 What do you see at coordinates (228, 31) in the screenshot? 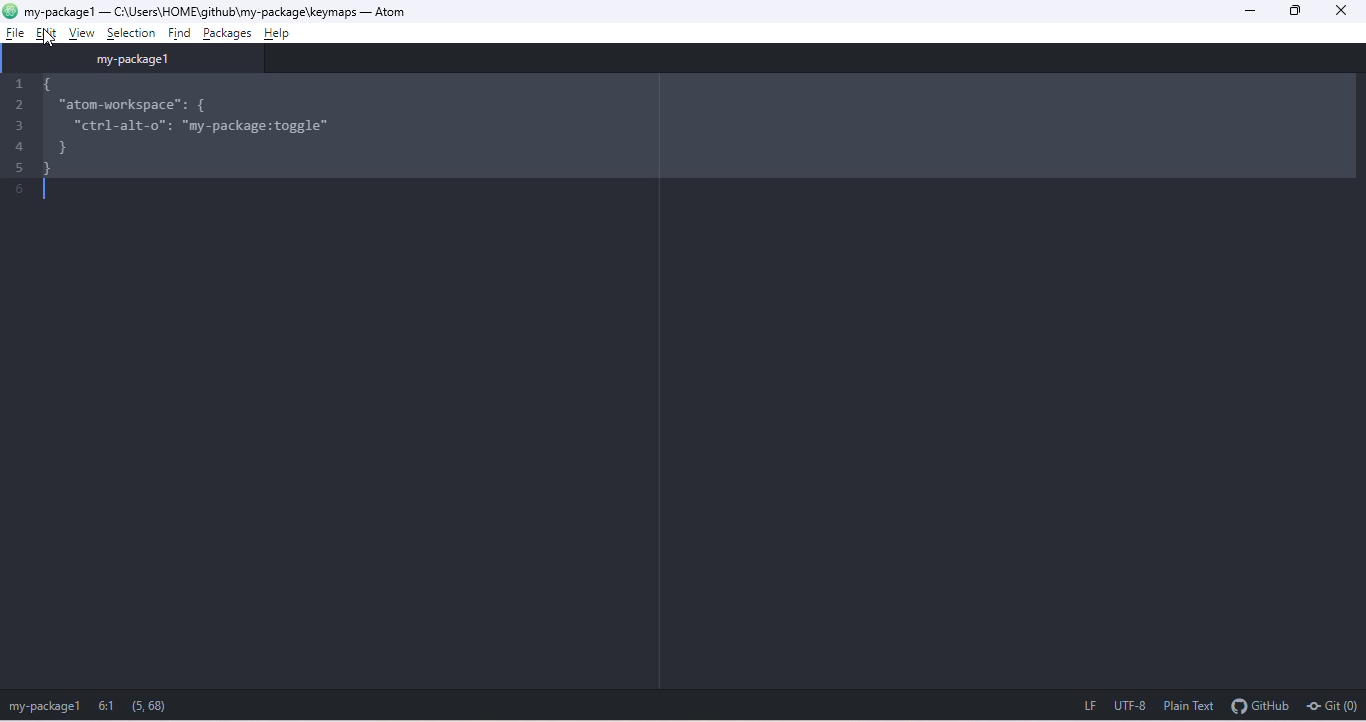
I see `packages` at bounding box center [228, 31].